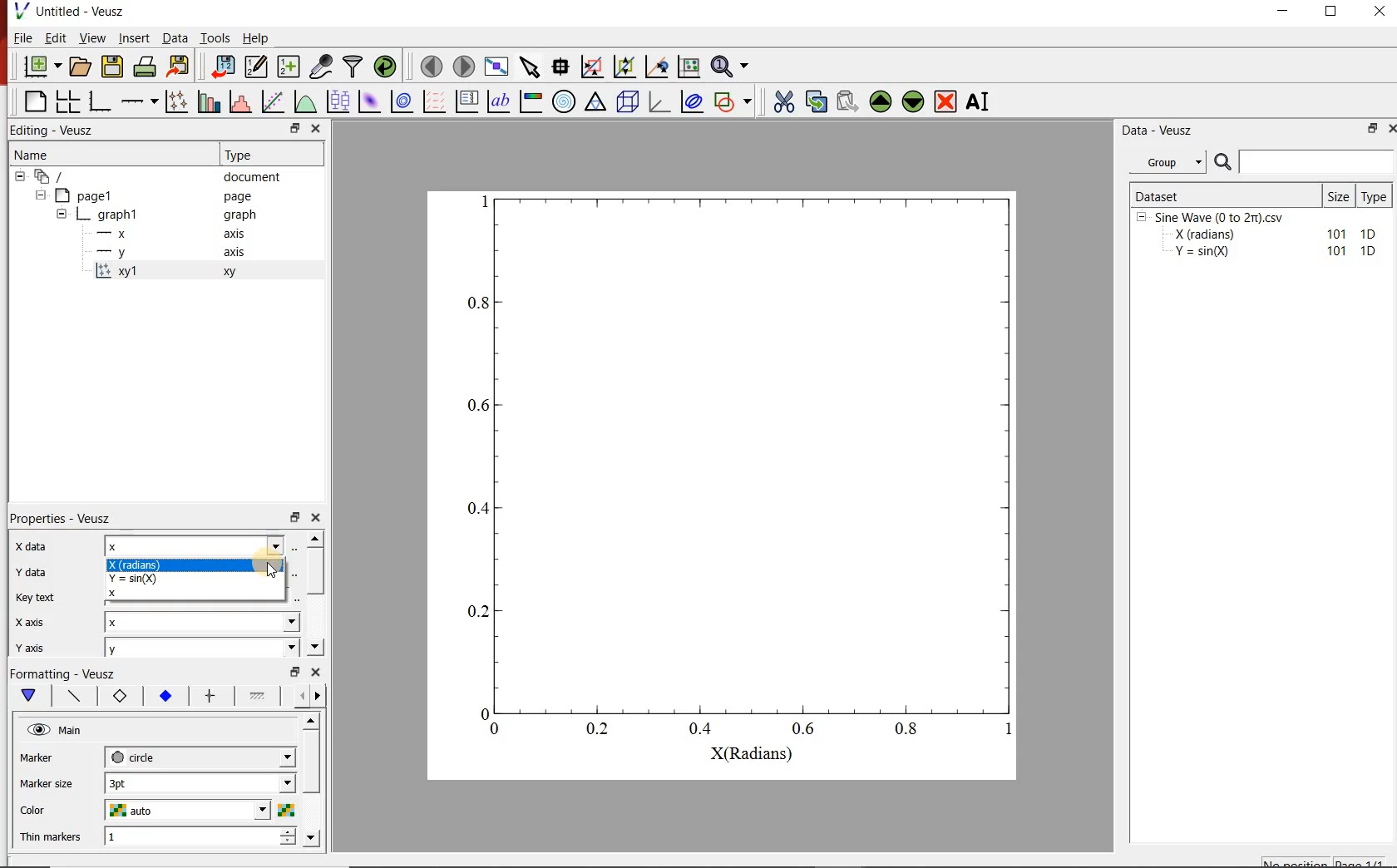 The height and width of the screenshot is (868, 1397). I want to click on Dataset, so click(1224, 195).